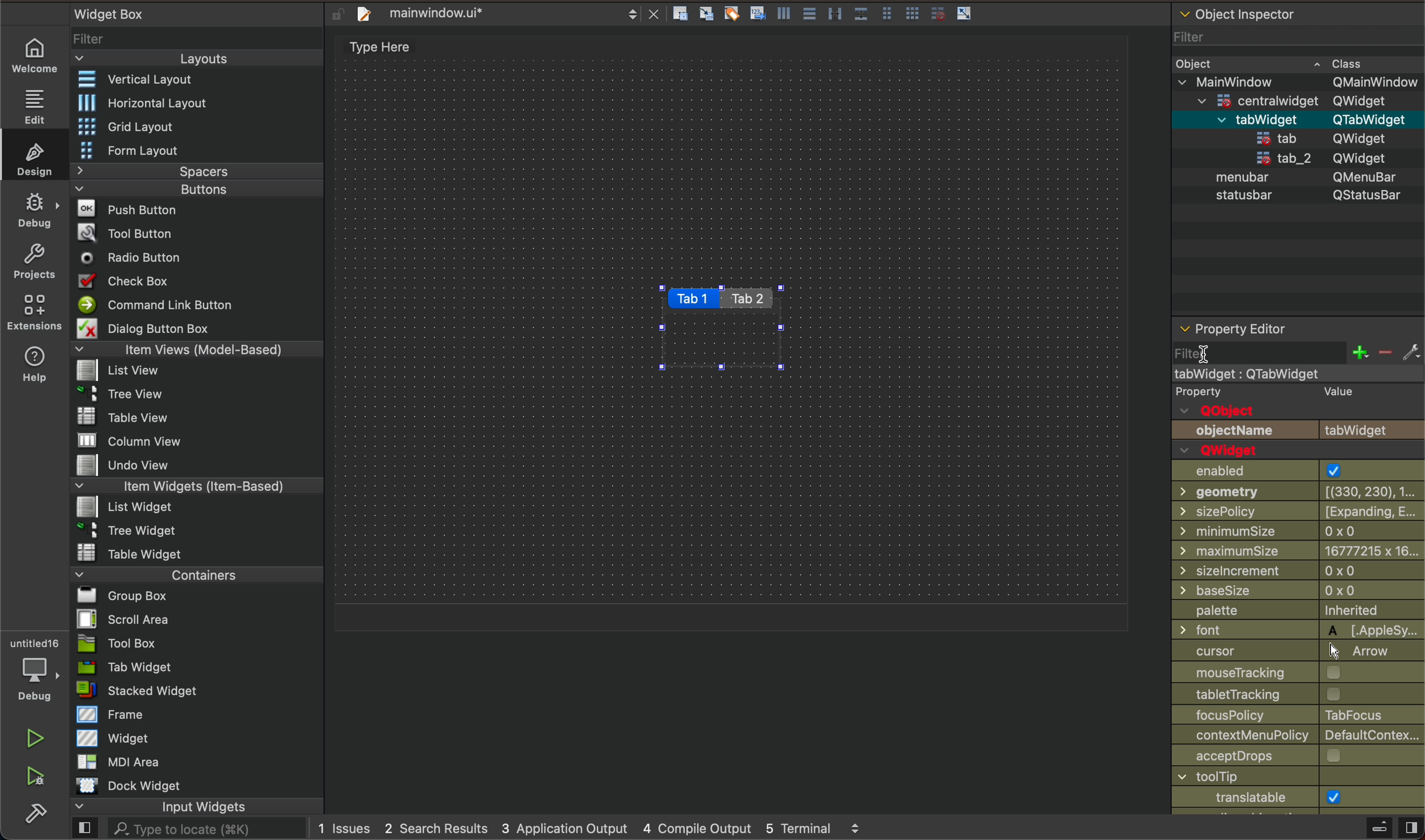  Describe the element at coordinates (140, 690) in the screenshot. I see `stacked Widget` at that location.